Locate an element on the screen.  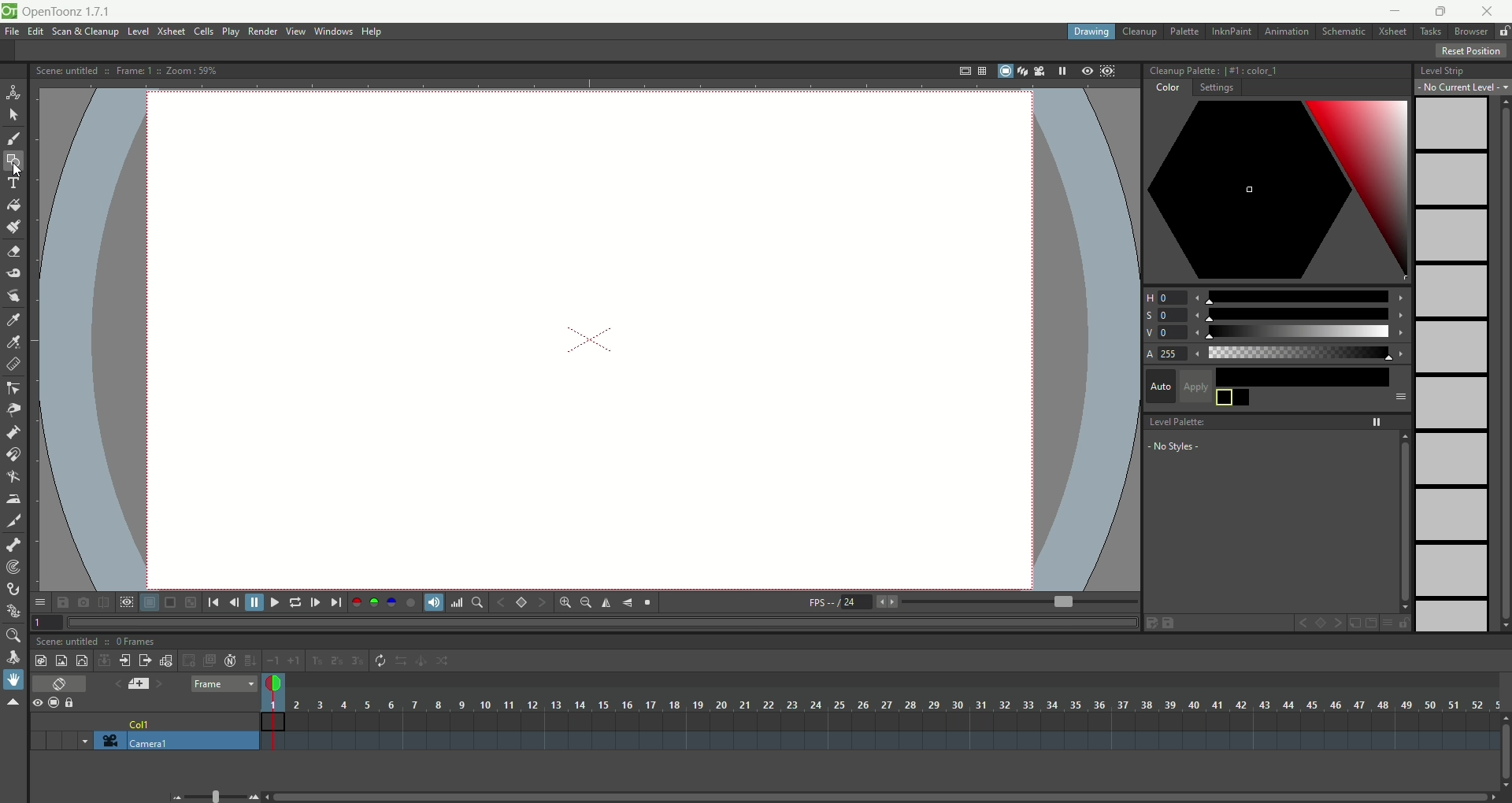
OpenToonz 1.7.1 is located at coordinates (69, 13).